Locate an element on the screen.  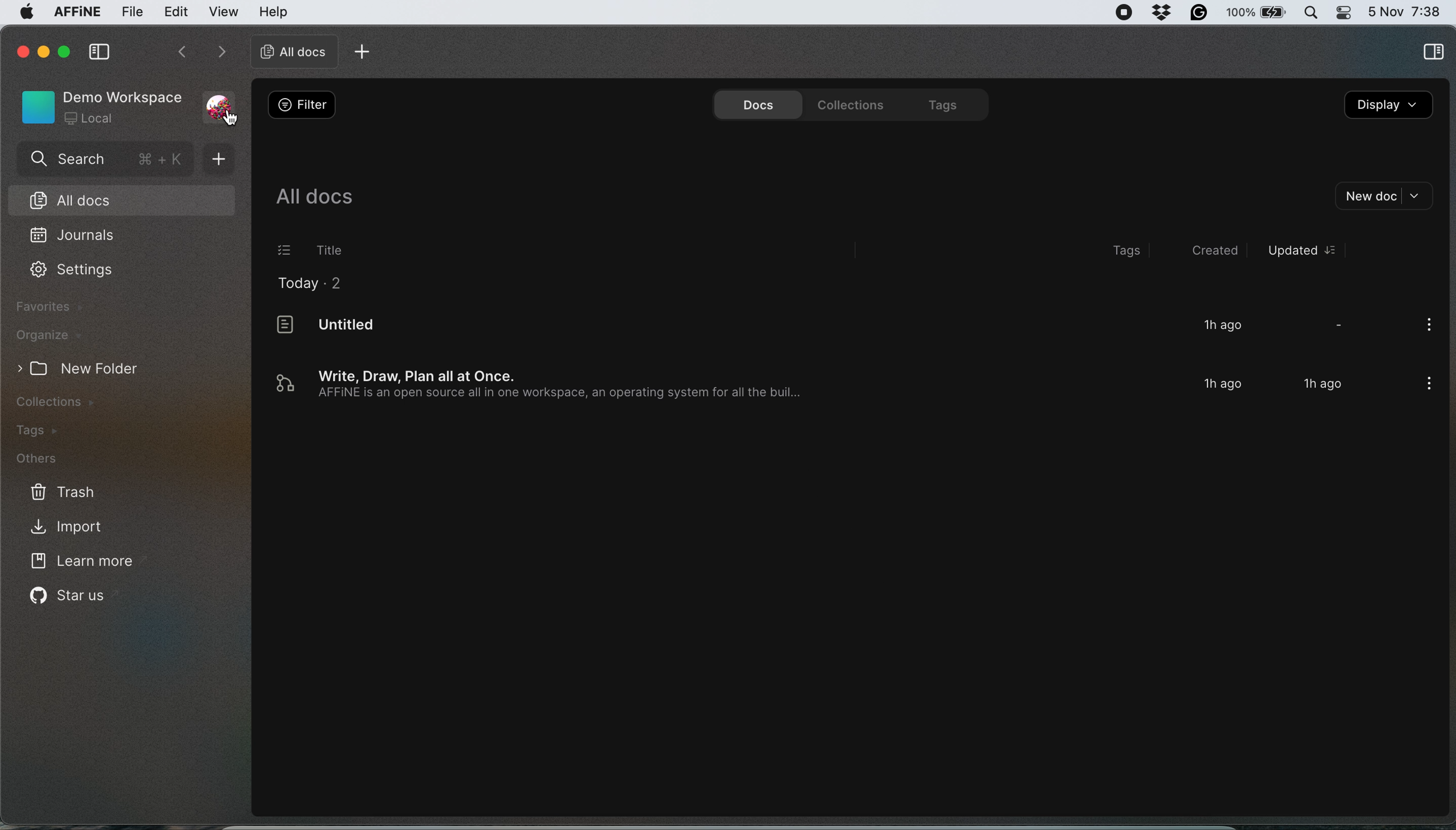
tags is located at coordinates (1130, 251).